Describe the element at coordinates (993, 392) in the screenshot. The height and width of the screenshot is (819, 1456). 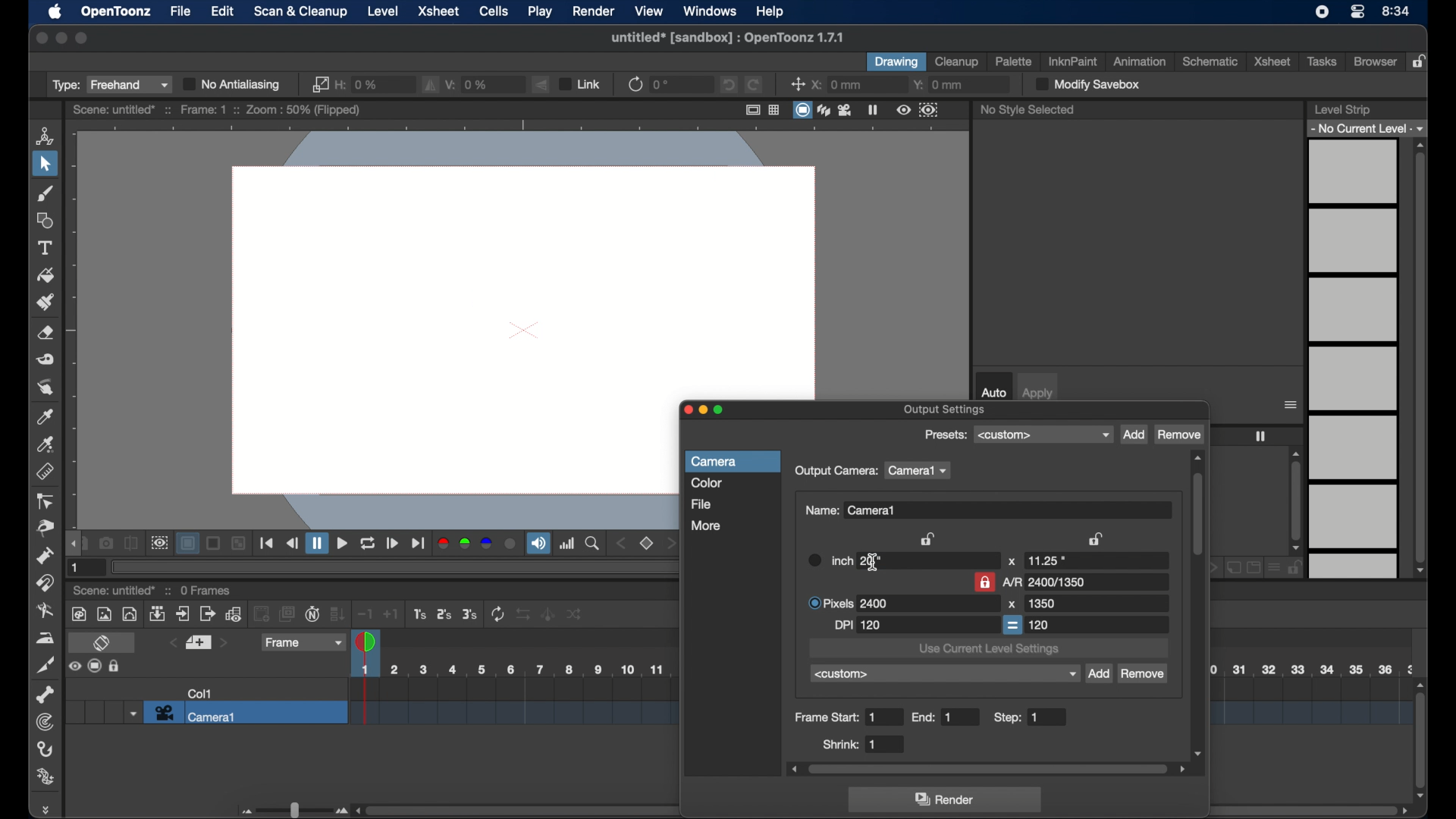
I see `auto` at that location.